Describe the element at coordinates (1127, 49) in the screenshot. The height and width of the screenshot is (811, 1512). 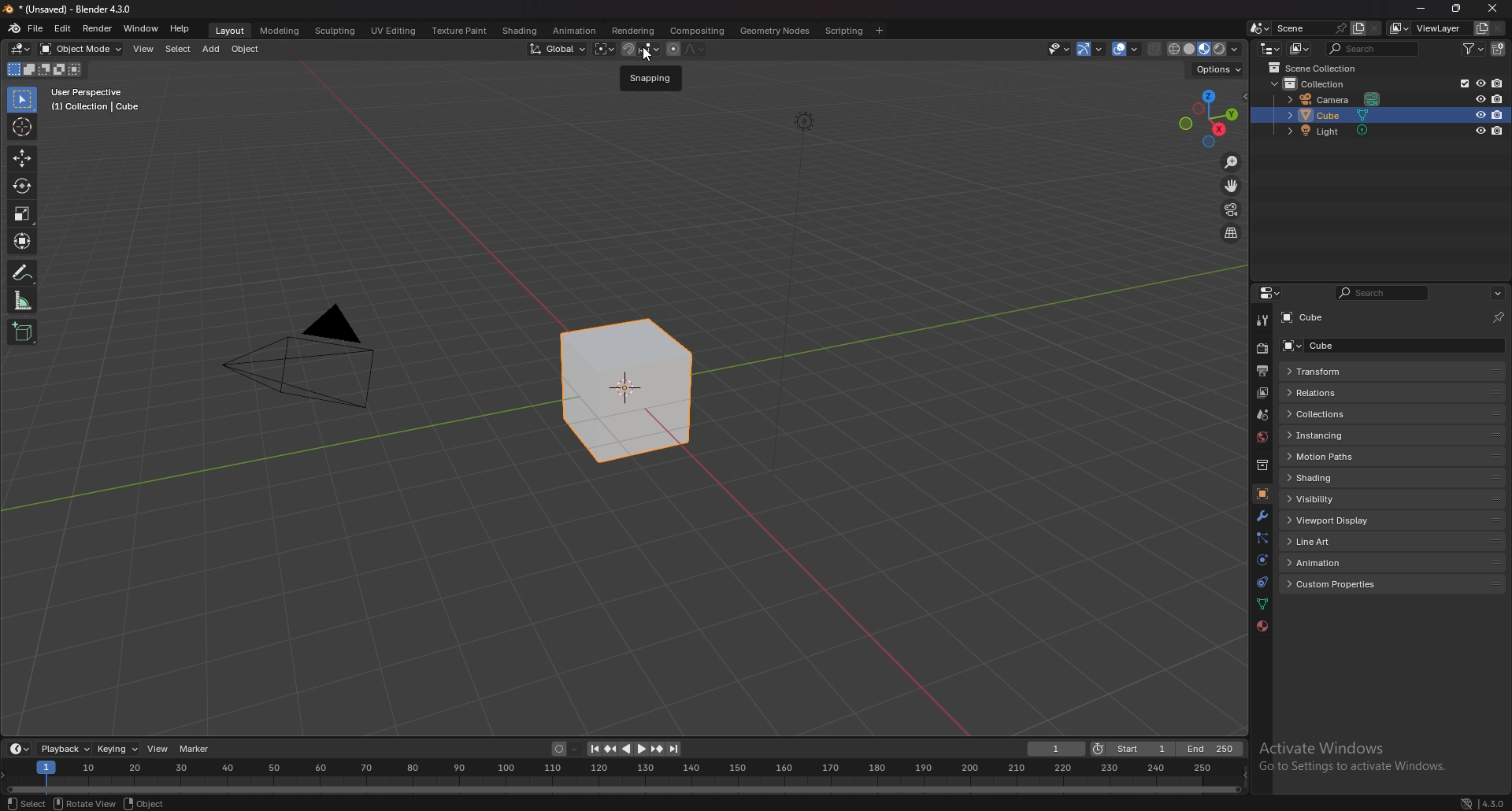
I see `show overlays` at that location.